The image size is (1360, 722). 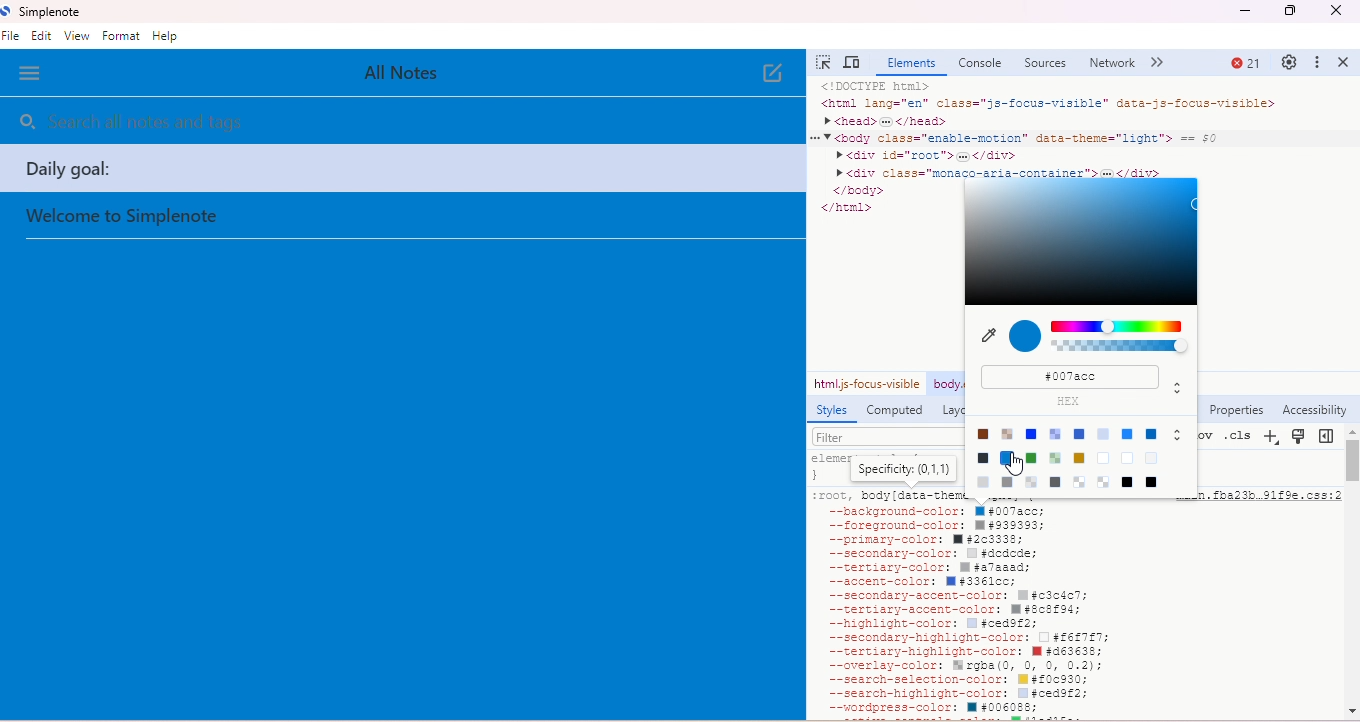 I want to click on vertical scroll bar, so click(x=1352, y=458).